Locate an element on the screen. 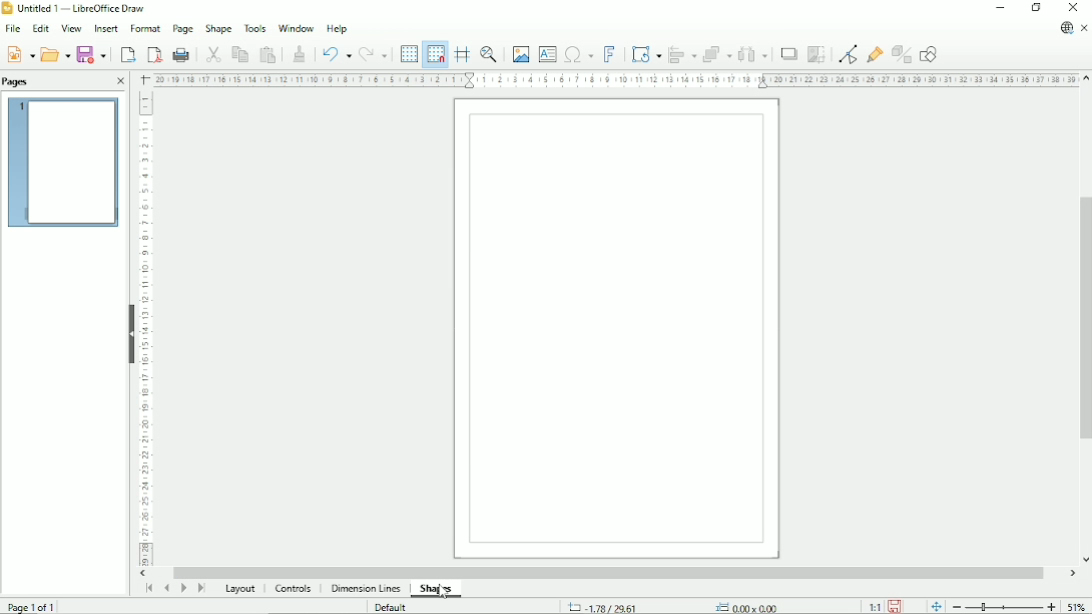 This screenshot has width=1092, height=614. Crop image is located at coordinates (816, 55).